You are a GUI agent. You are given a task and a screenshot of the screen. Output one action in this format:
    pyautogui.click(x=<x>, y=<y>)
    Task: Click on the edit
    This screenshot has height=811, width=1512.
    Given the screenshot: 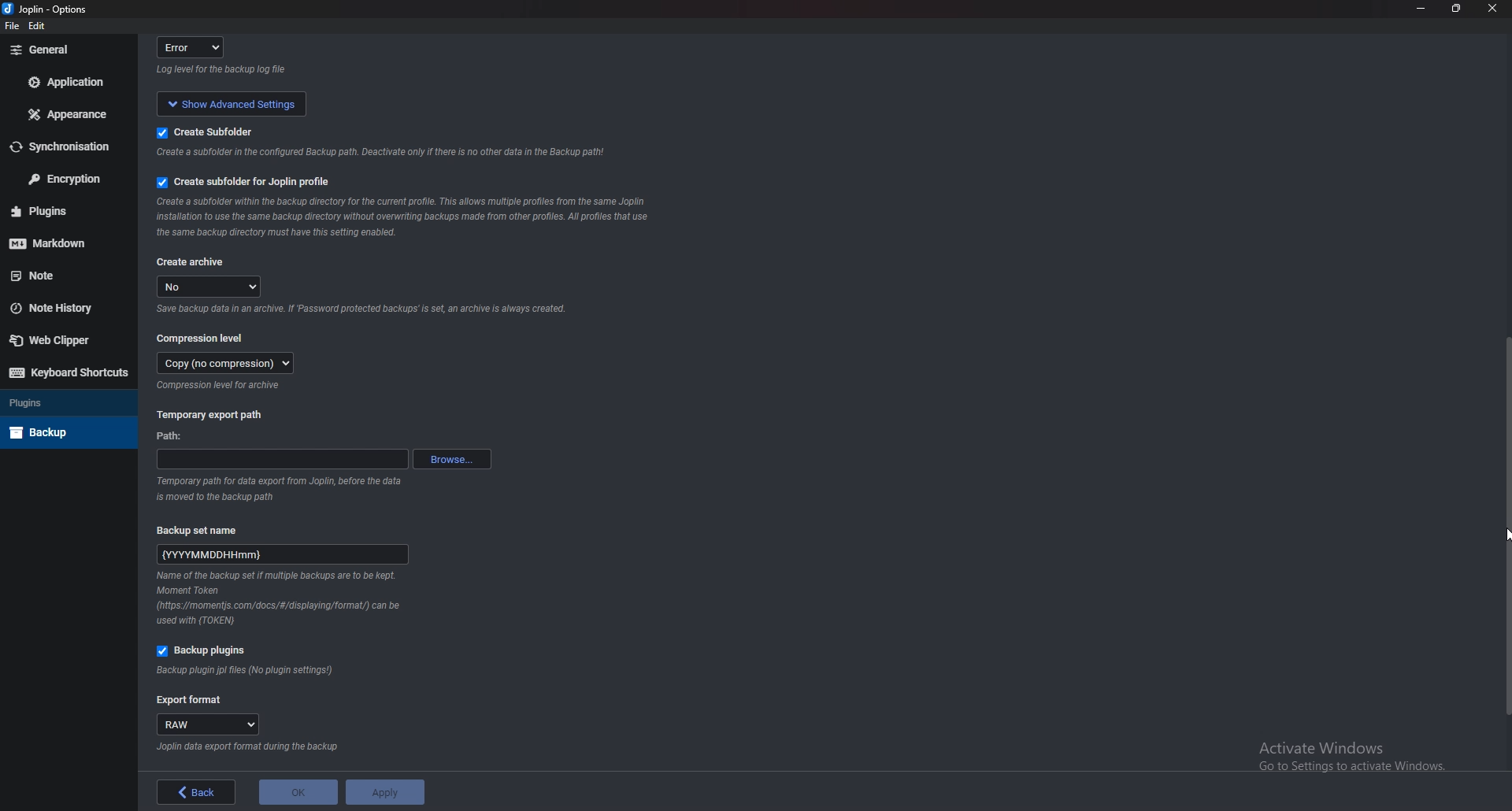 What is the action you would take?
    pyautogui.click(x=39, y=28)
    